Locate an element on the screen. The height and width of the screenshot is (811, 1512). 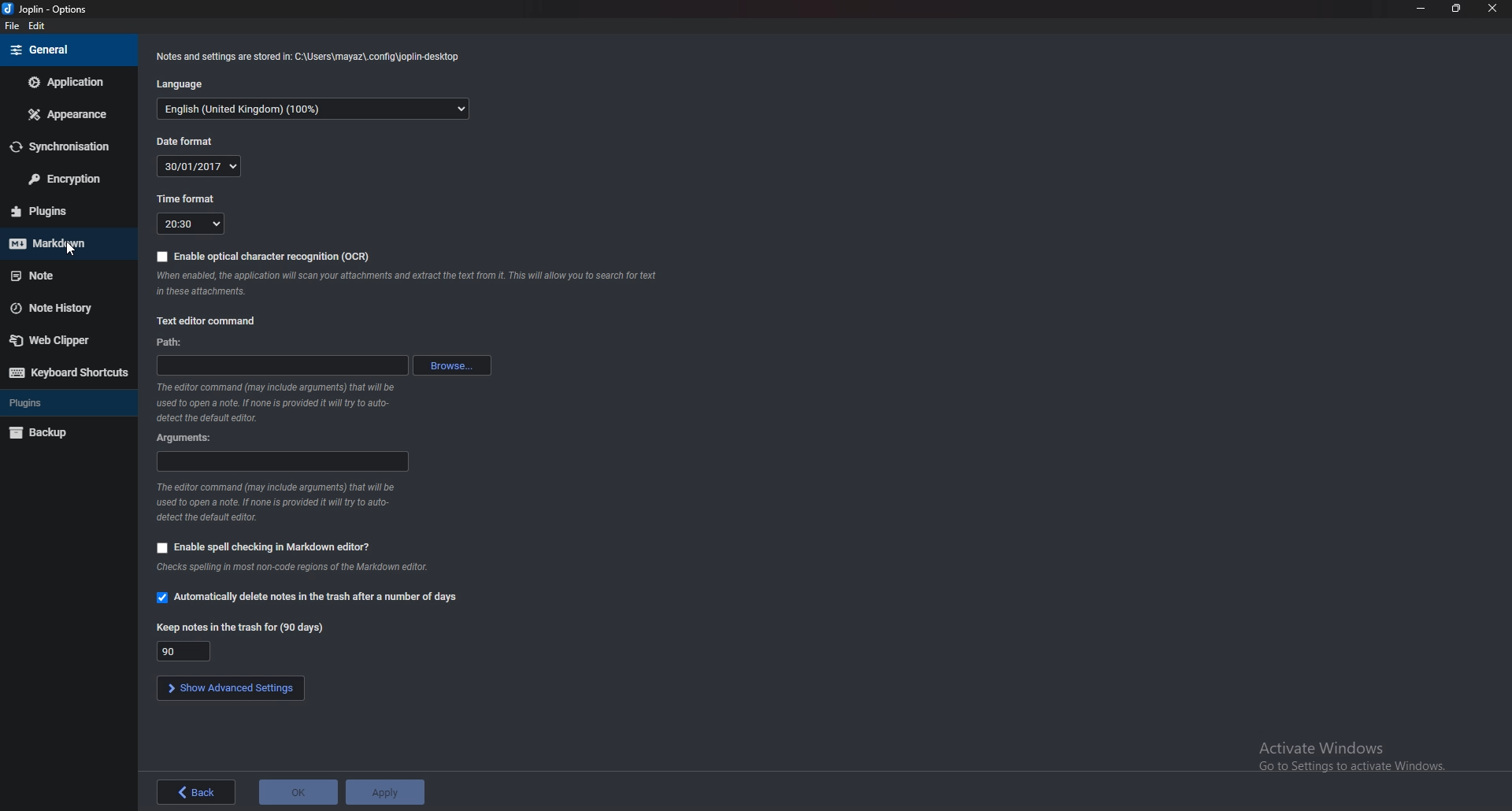
Note history is located at coordinates (70, 307).